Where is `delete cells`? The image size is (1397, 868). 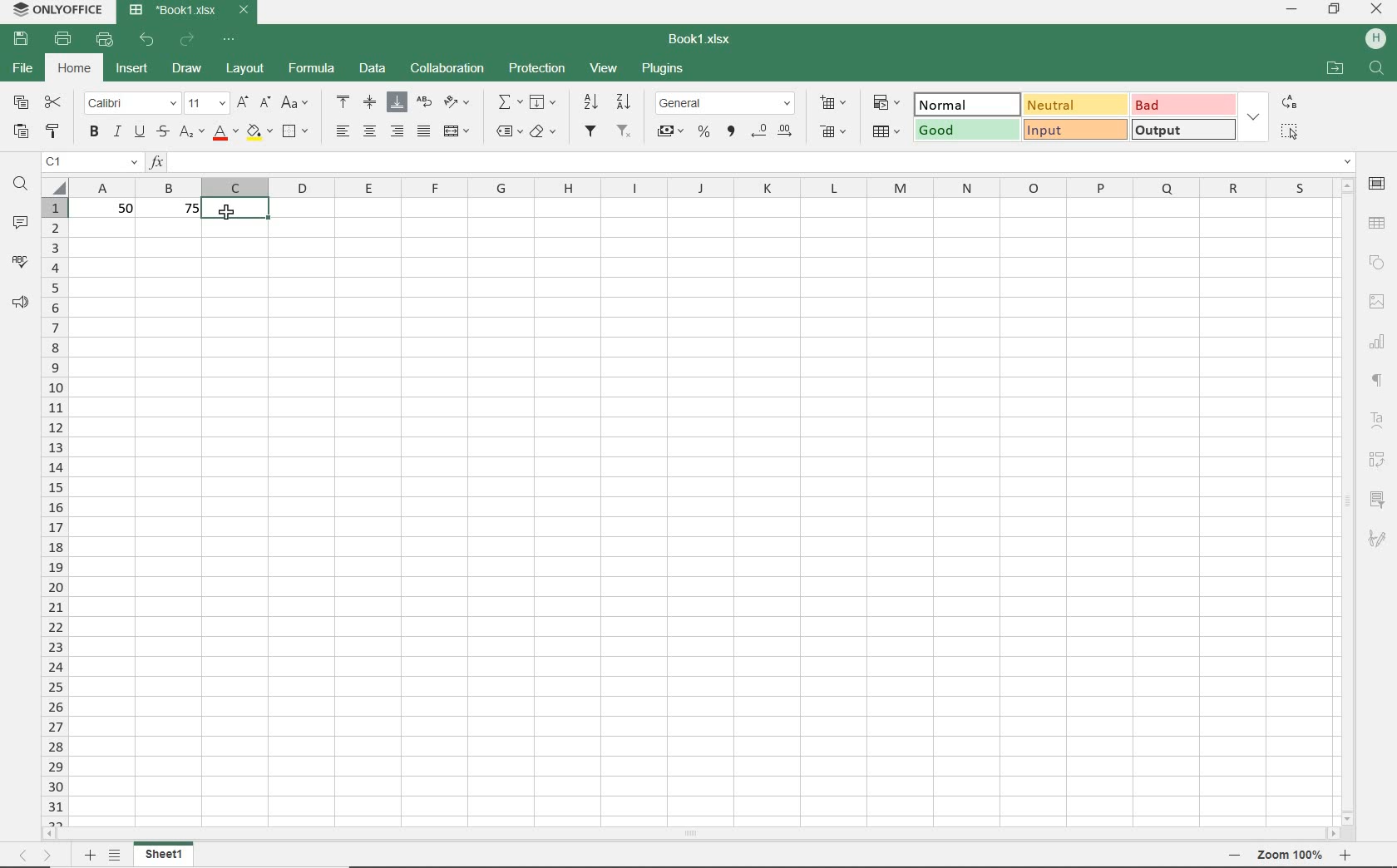
delete cells is located at coordinates (831, 130).